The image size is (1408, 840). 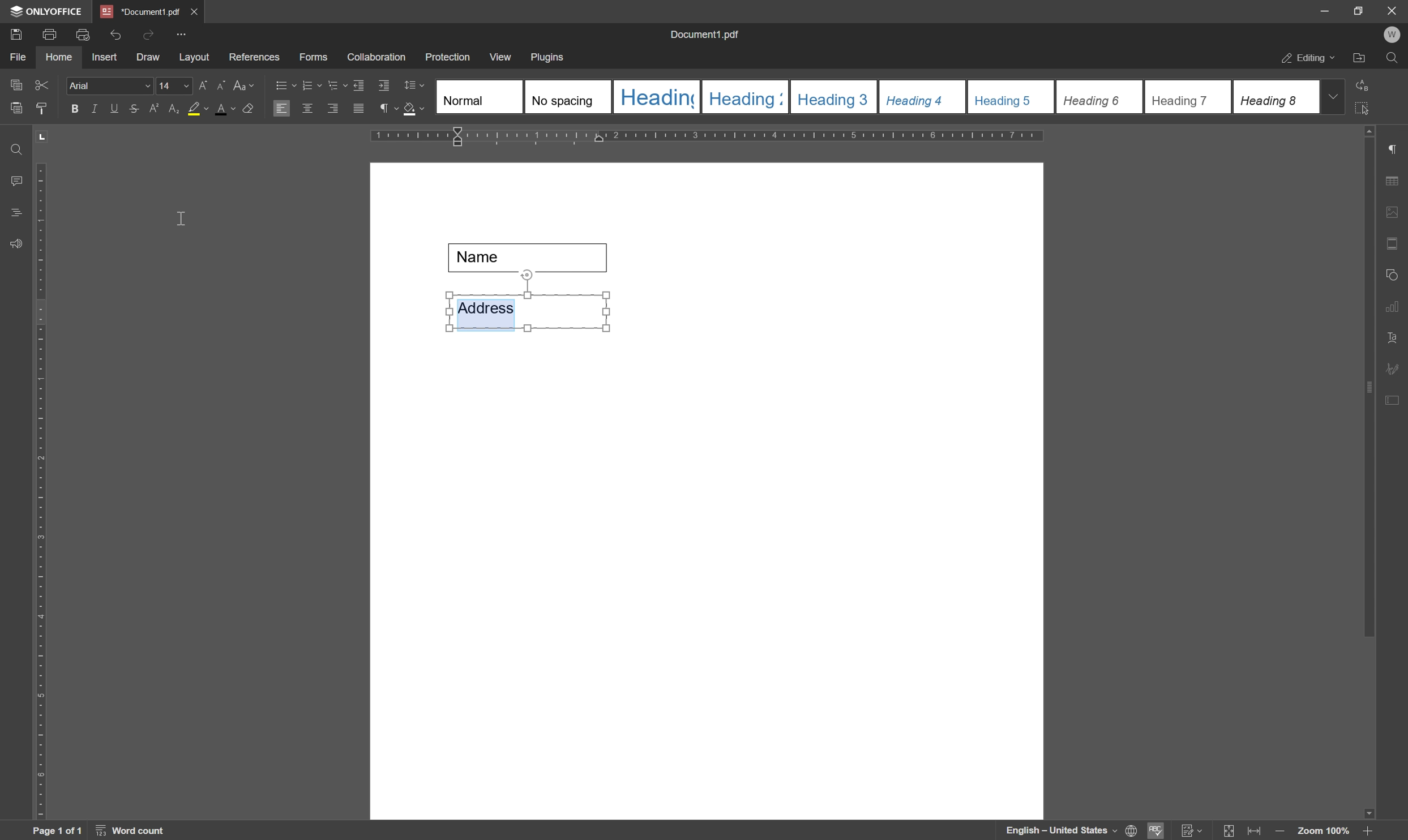 What do you see at coordinates (1397, 215) in the screenshot?
I see `image settings` at bounding box center [1397, 215].